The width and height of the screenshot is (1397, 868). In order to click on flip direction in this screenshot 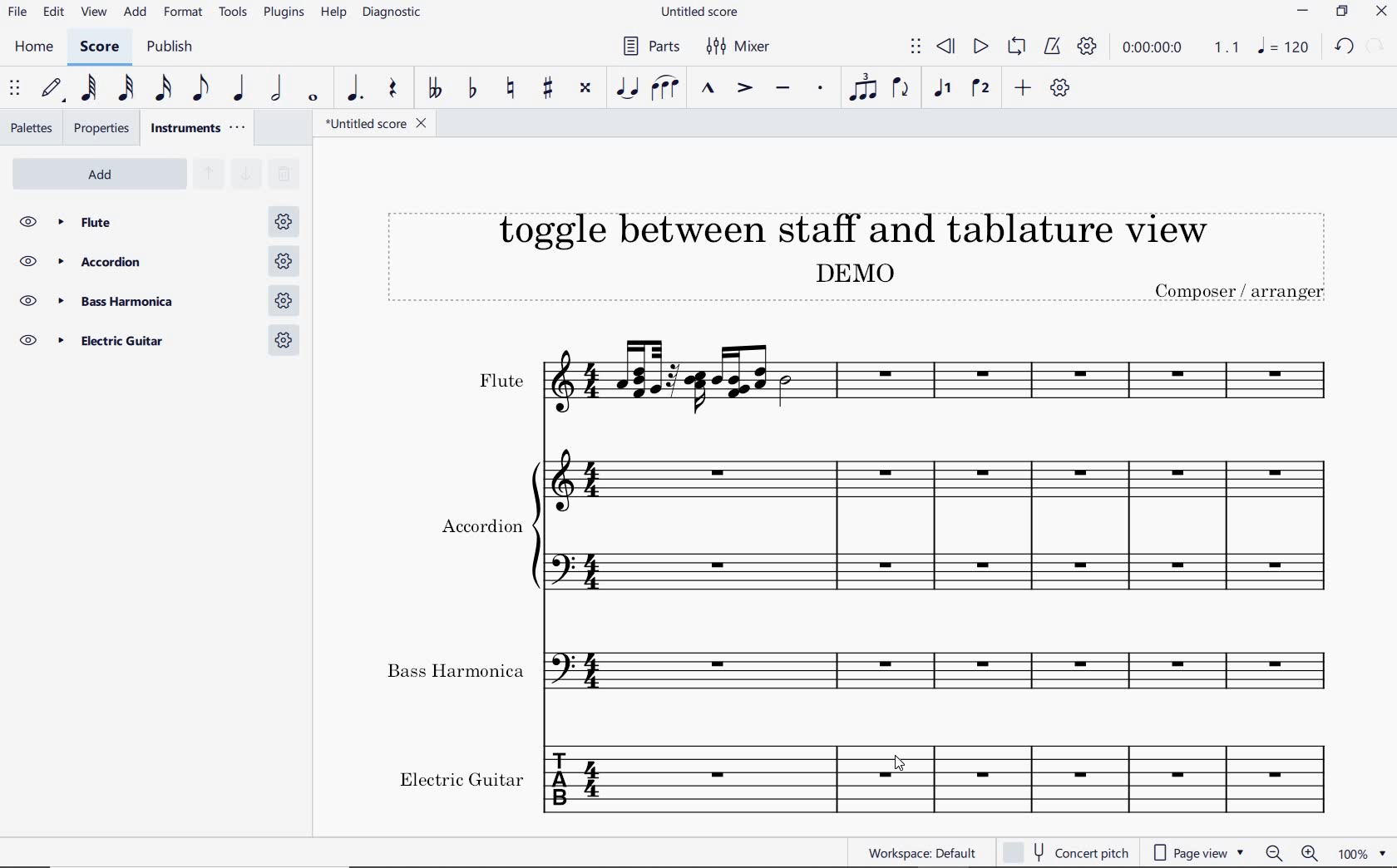, I will do `click(905, 91)`.